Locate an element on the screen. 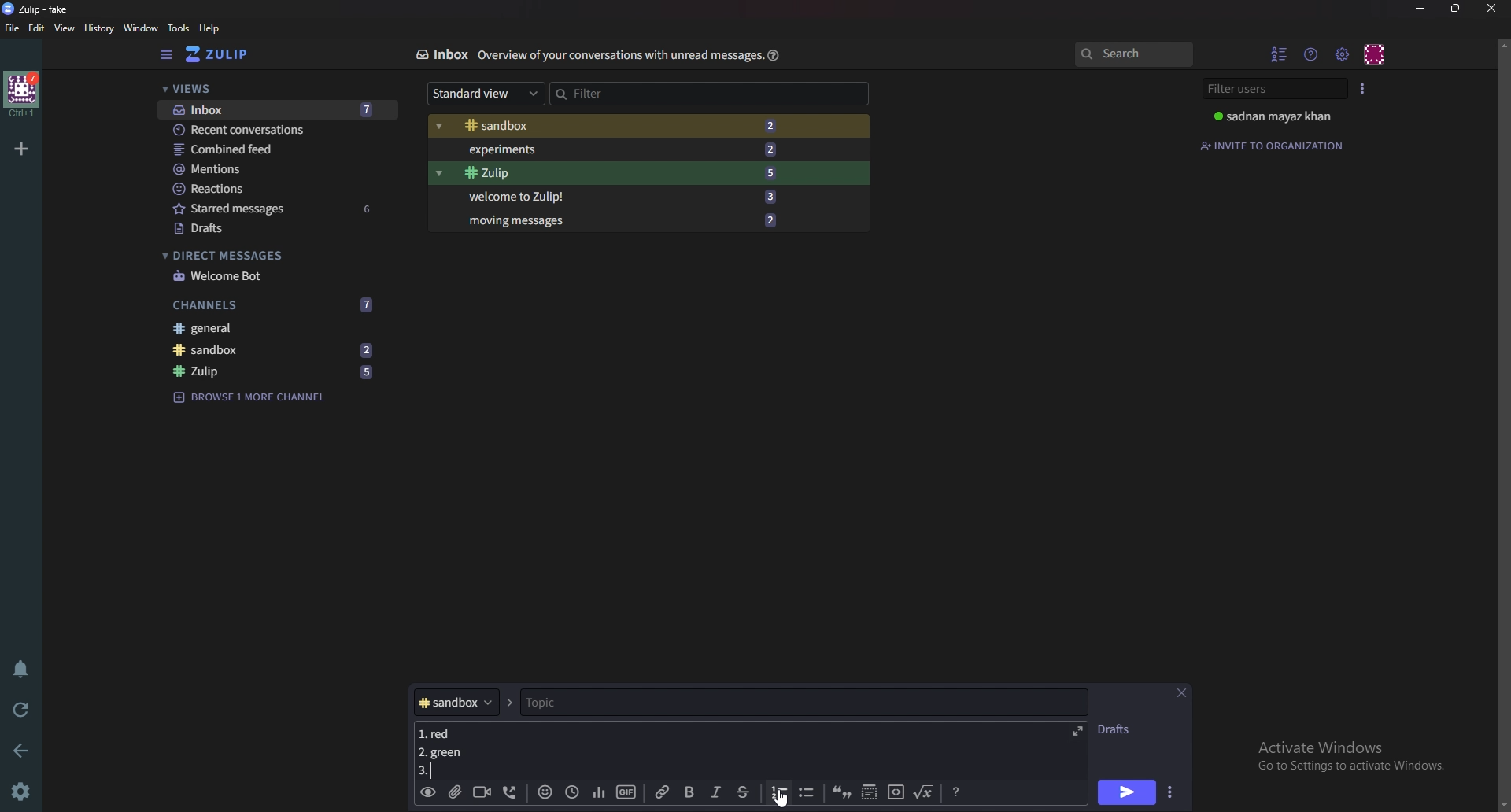 The image size is (1511, 812). main menu is located at coordinates (1343, 54).